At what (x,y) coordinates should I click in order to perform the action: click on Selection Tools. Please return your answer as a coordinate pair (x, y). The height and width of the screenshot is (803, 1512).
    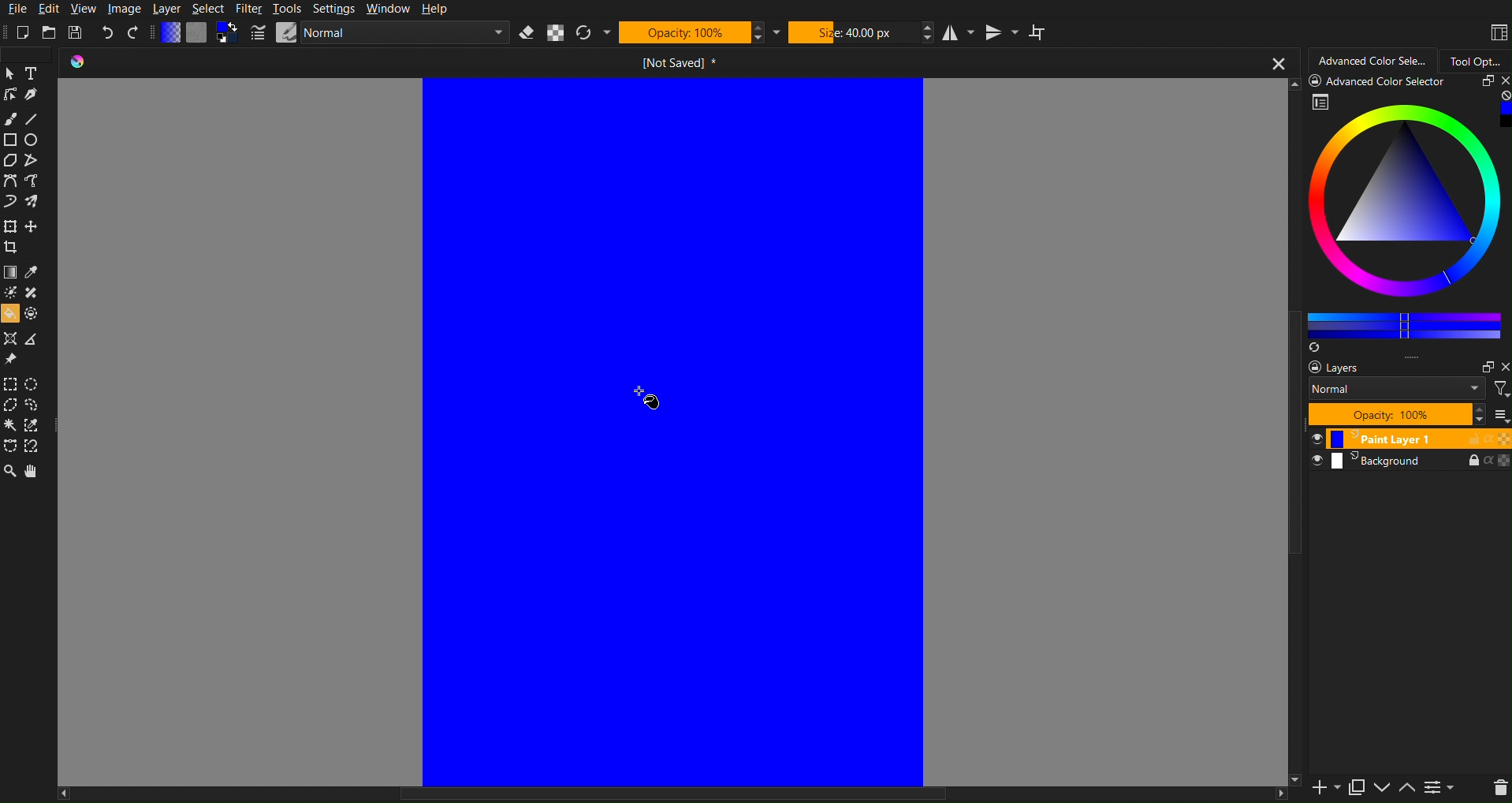
    Looking at the image, I should click on (27, 417).